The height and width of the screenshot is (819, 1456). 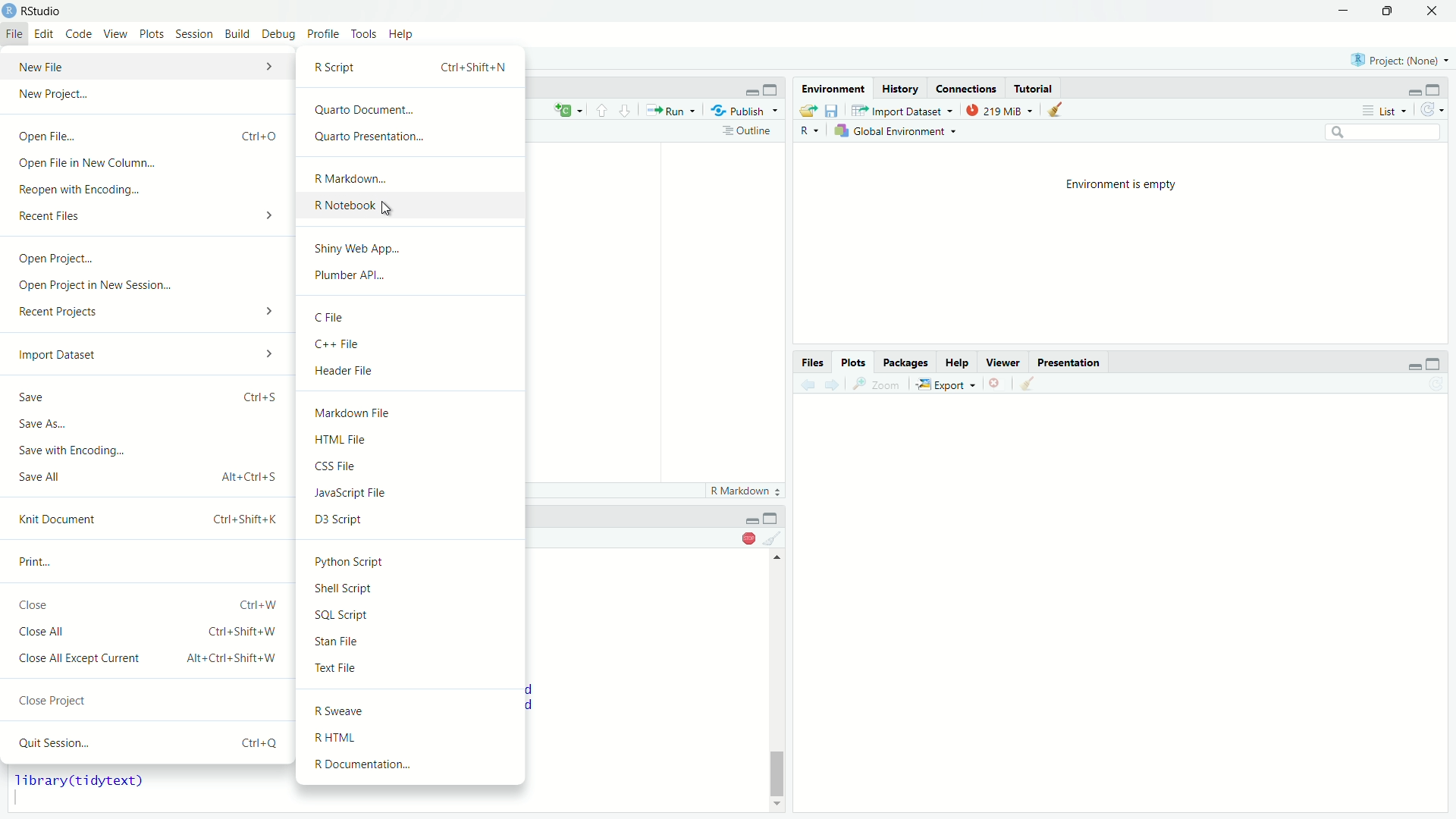 What do you see at coordinates (149, 94) in the screenshot?
I see `New Project...` at bounding box center [149, 94].